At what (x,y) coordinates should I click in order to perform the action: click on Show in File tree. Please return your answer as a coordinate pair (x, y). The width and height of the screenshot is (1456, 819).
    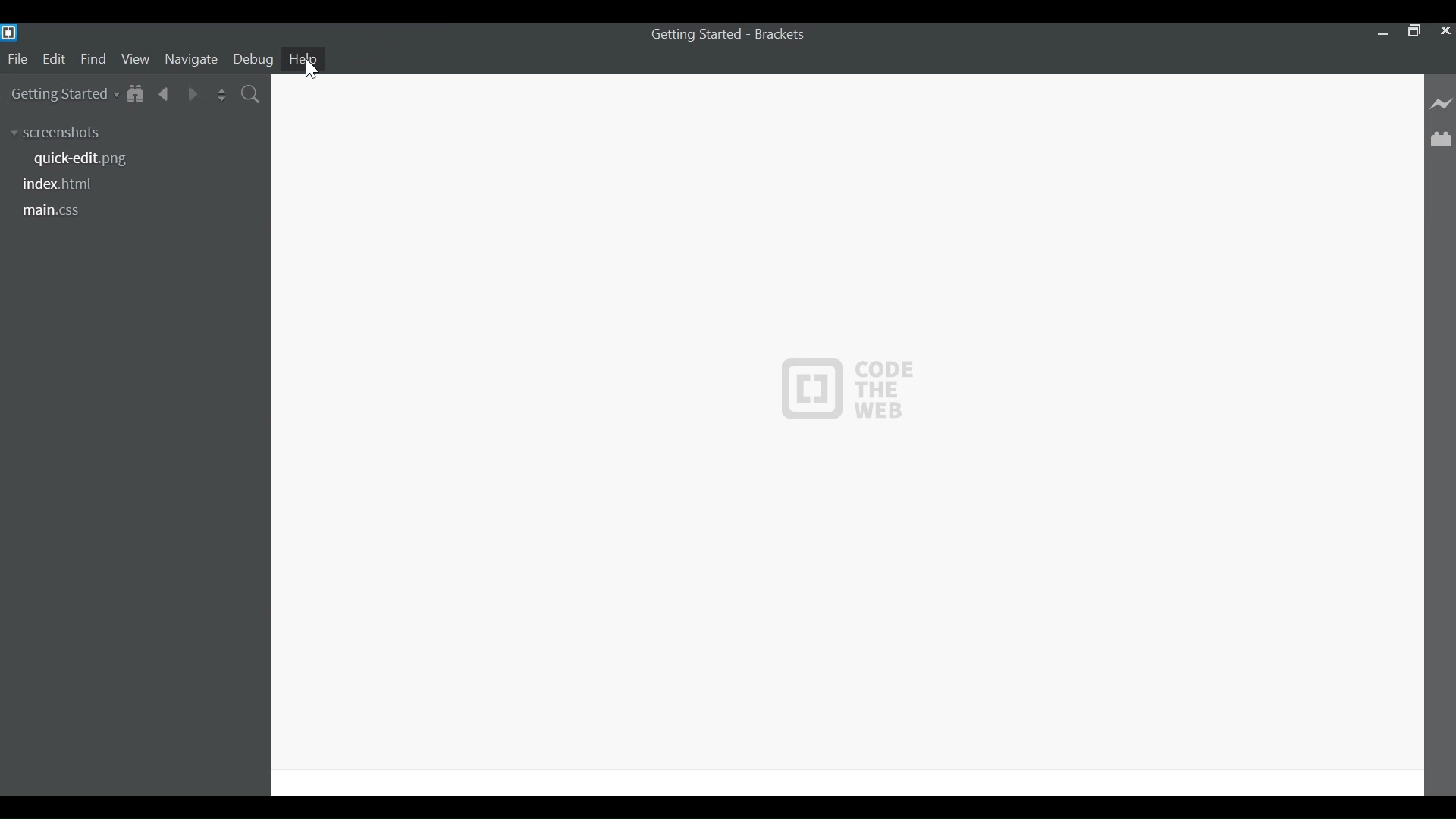
    Looking at the image, I should click on (136, 93).